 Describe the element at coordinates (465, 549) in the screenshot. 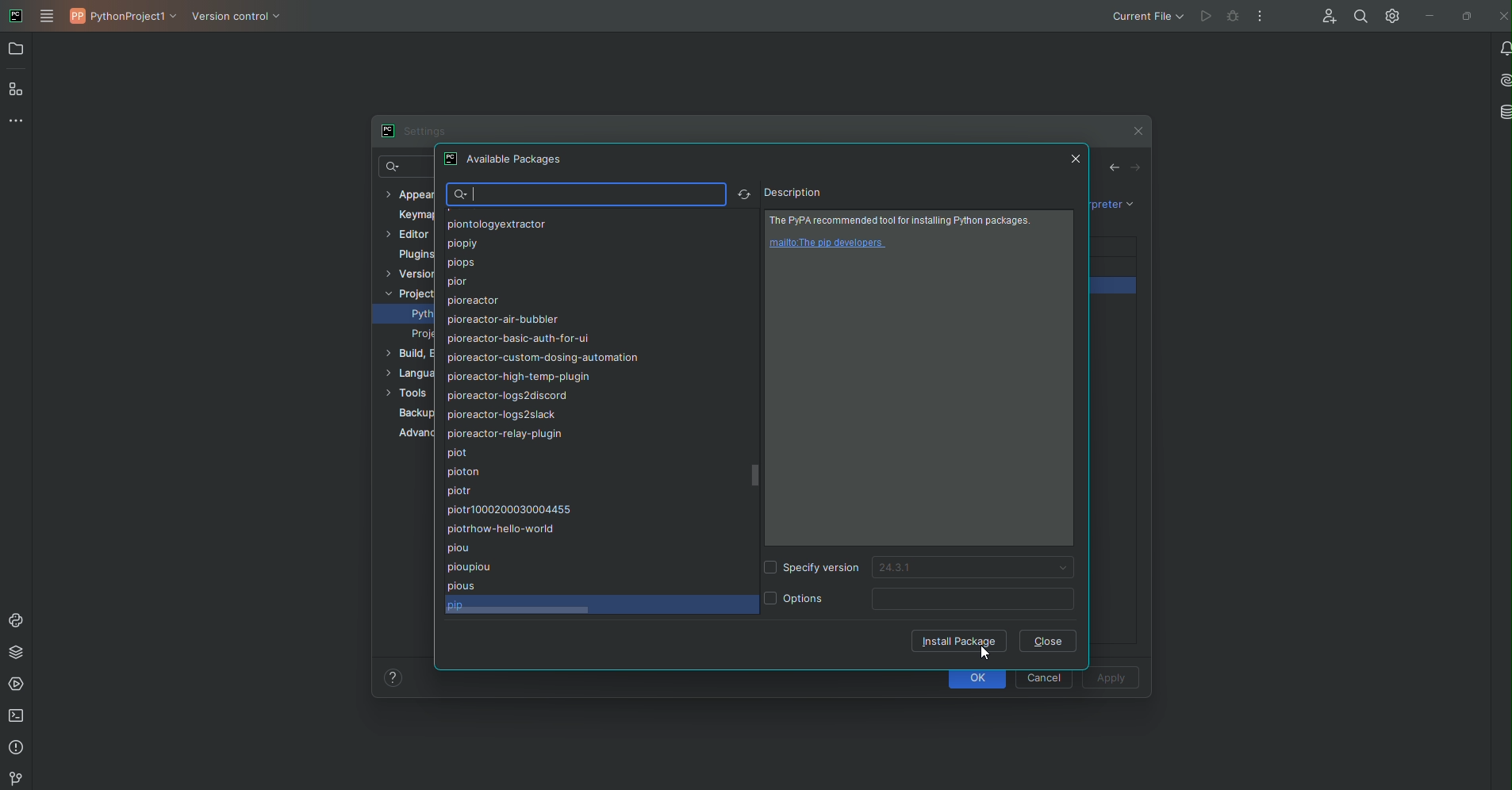

I see `piou` at that location.